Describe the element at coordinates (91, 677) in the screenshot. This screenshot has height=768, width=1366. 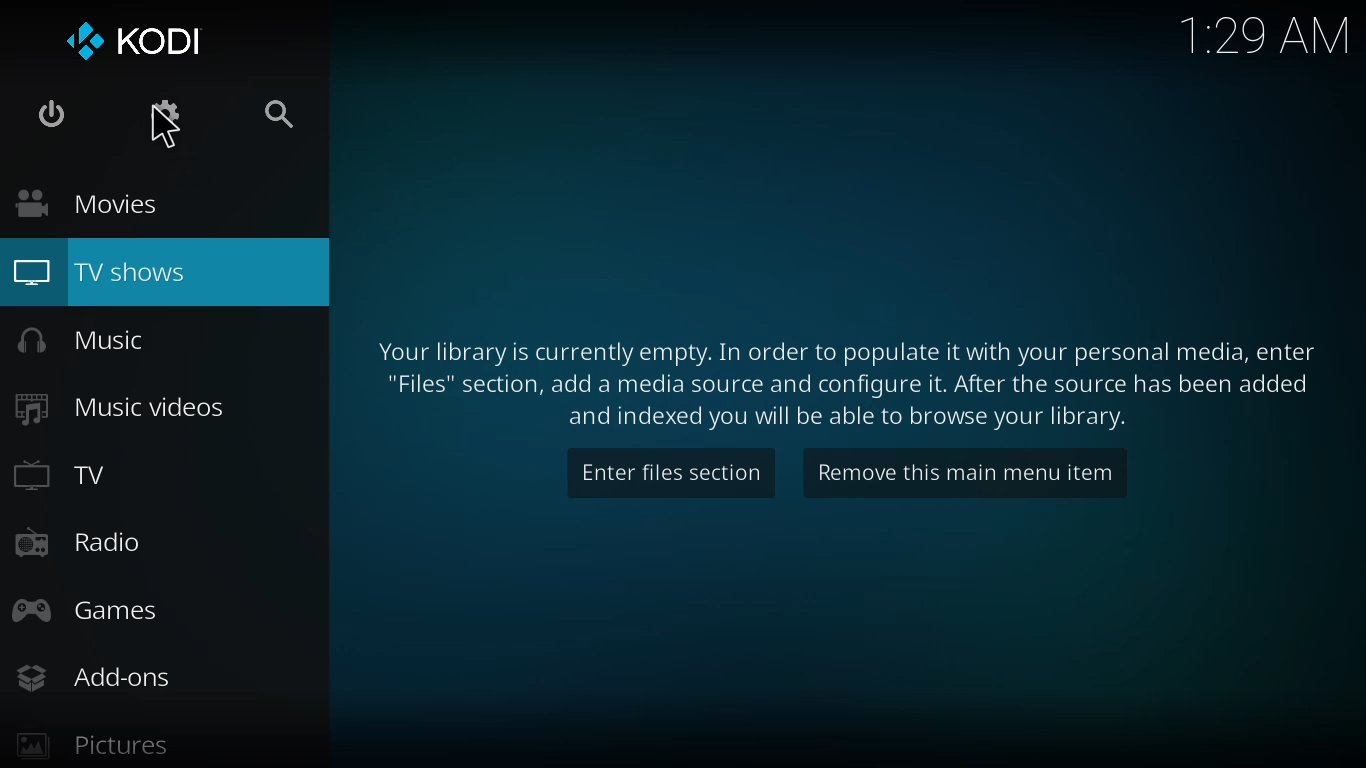
I see `add-ons` at that location.